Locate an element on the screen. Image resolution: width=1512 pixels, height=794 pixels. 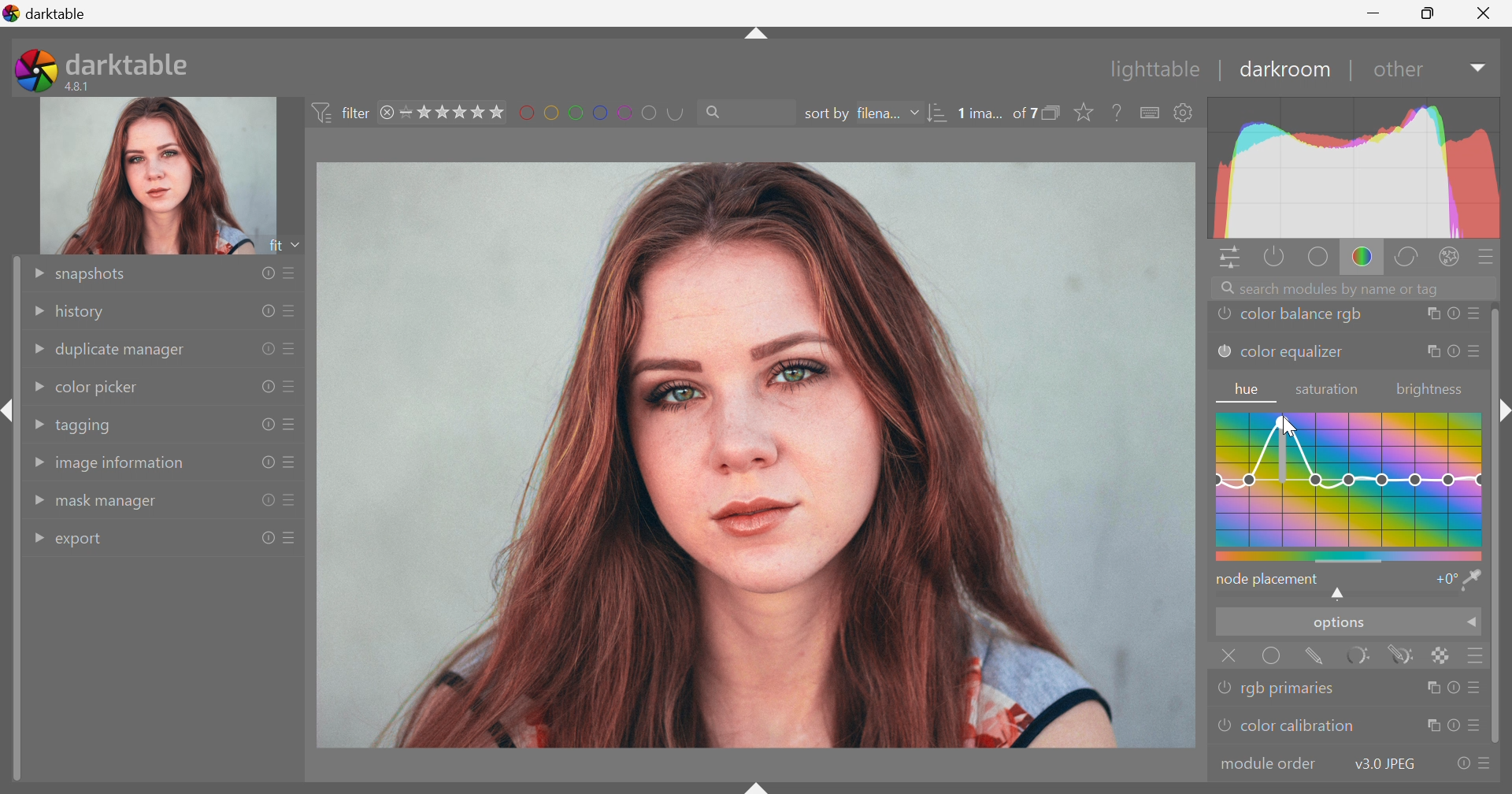
presets is located at coordinates (291, 463).